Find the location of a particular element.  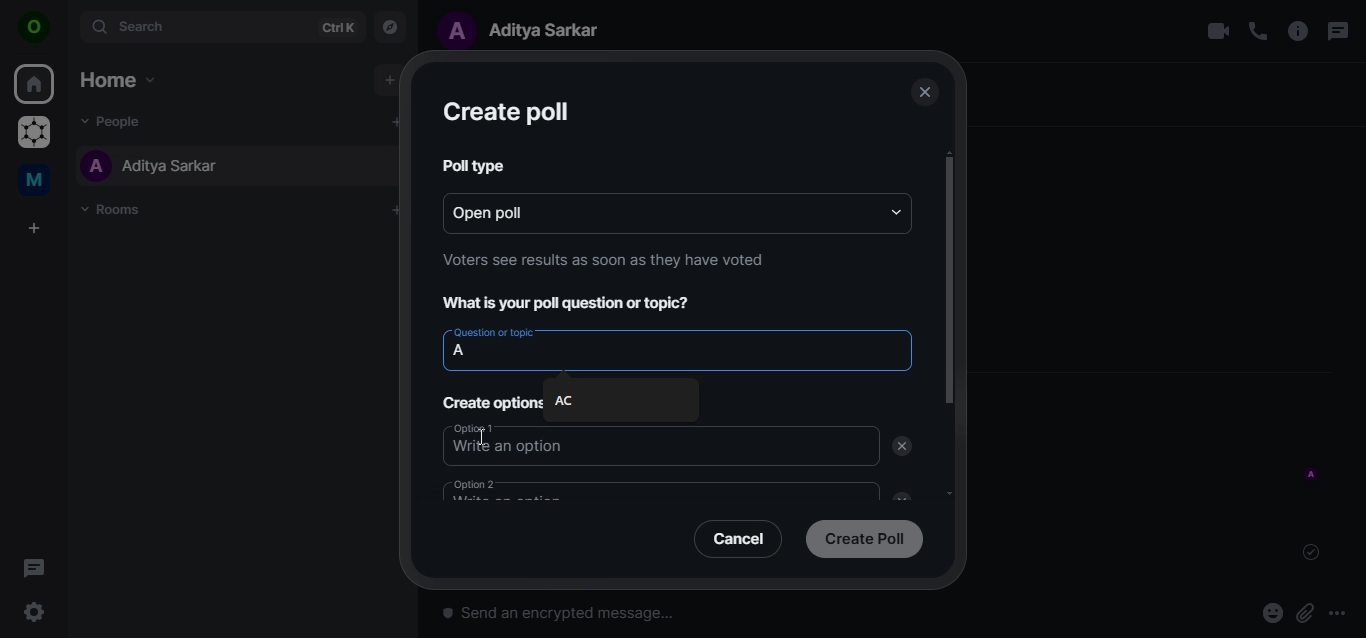

option  2 is located at coordinates (538, 491).